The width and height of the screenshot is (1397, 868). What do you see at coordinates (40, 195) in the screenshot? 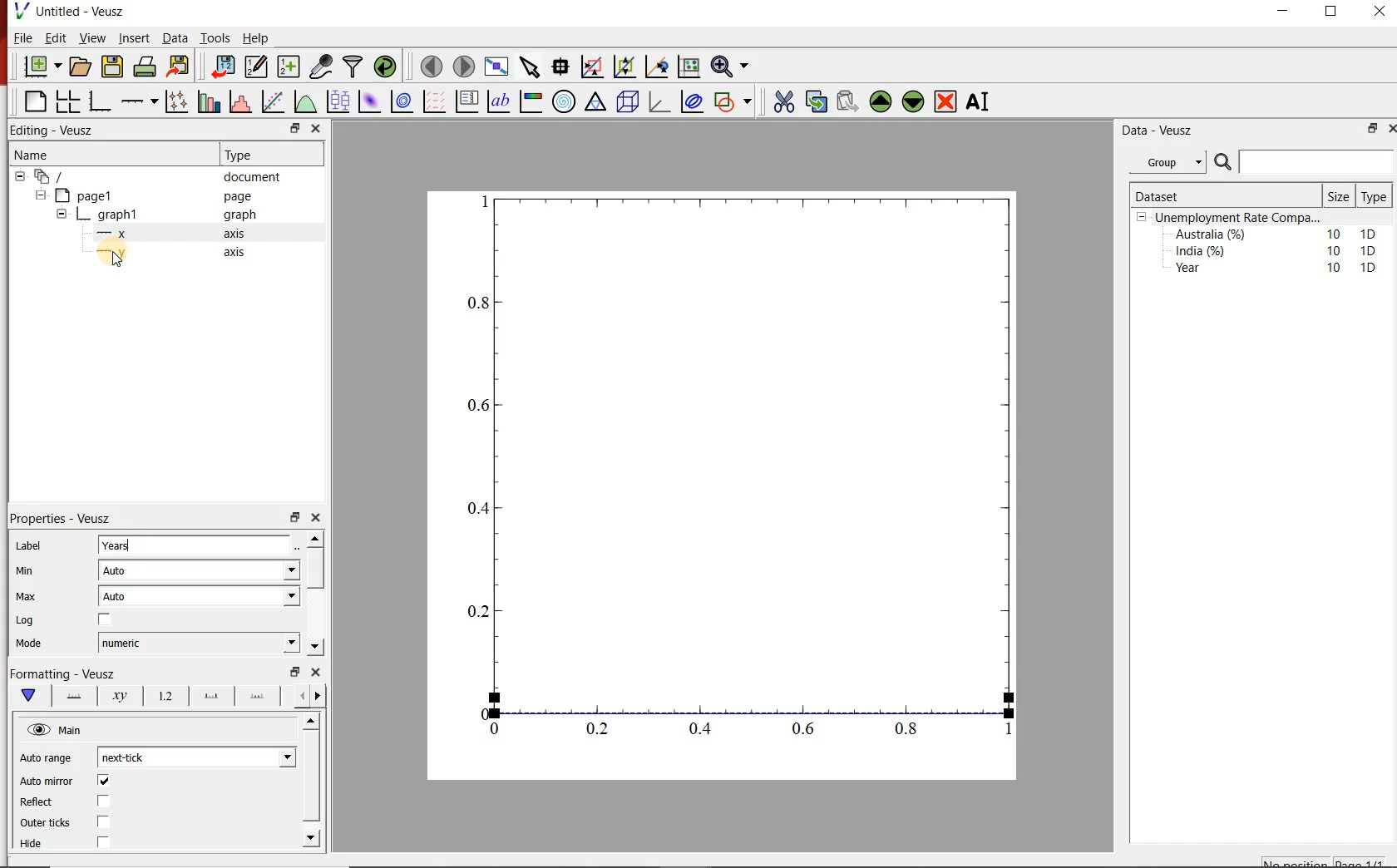
I see `collapse` at bounding box center [40, 195].